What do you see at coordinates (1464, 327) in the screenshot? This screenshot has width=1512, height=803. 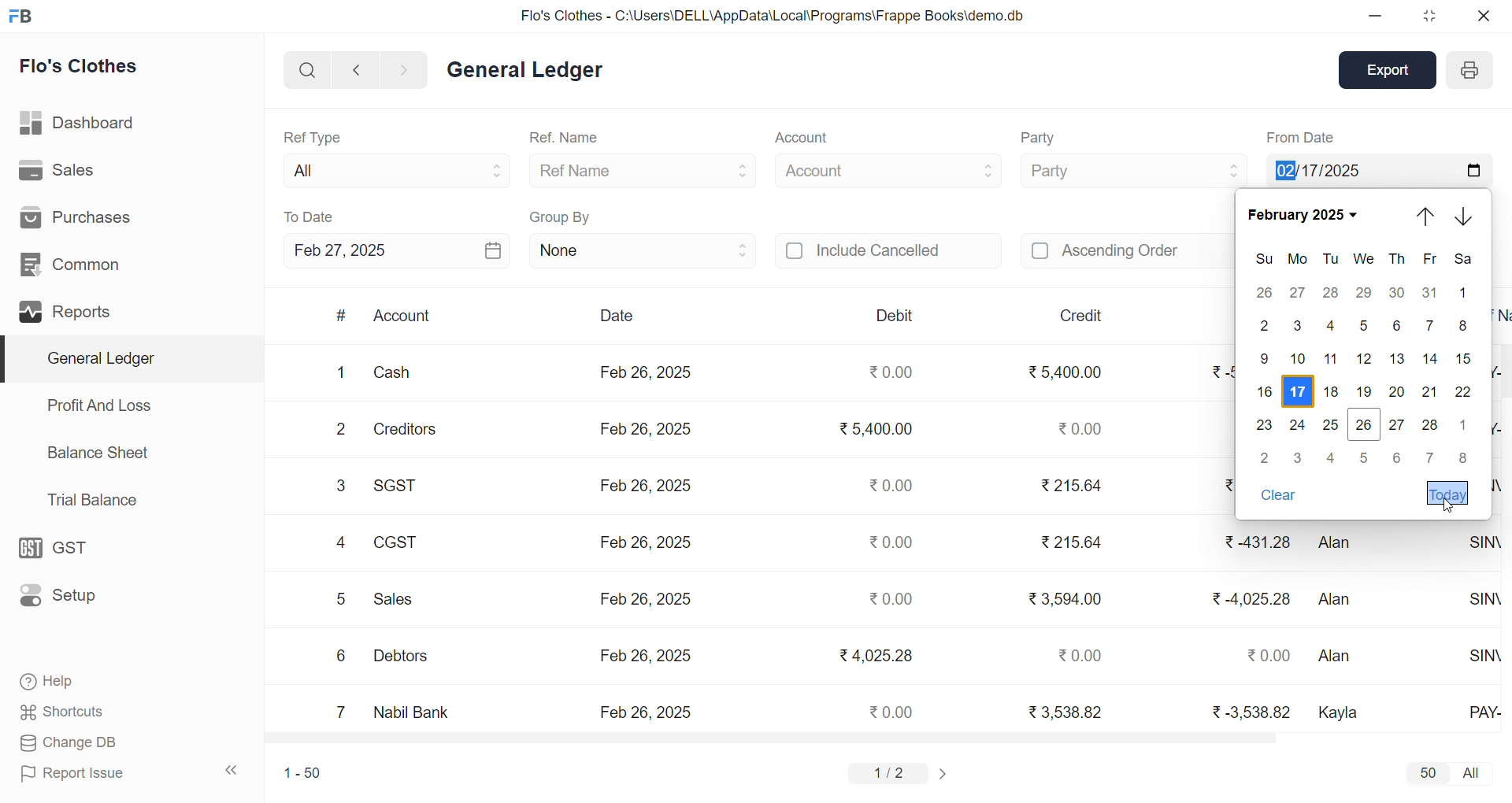 I see `8` at bounding box center [1464, 327].